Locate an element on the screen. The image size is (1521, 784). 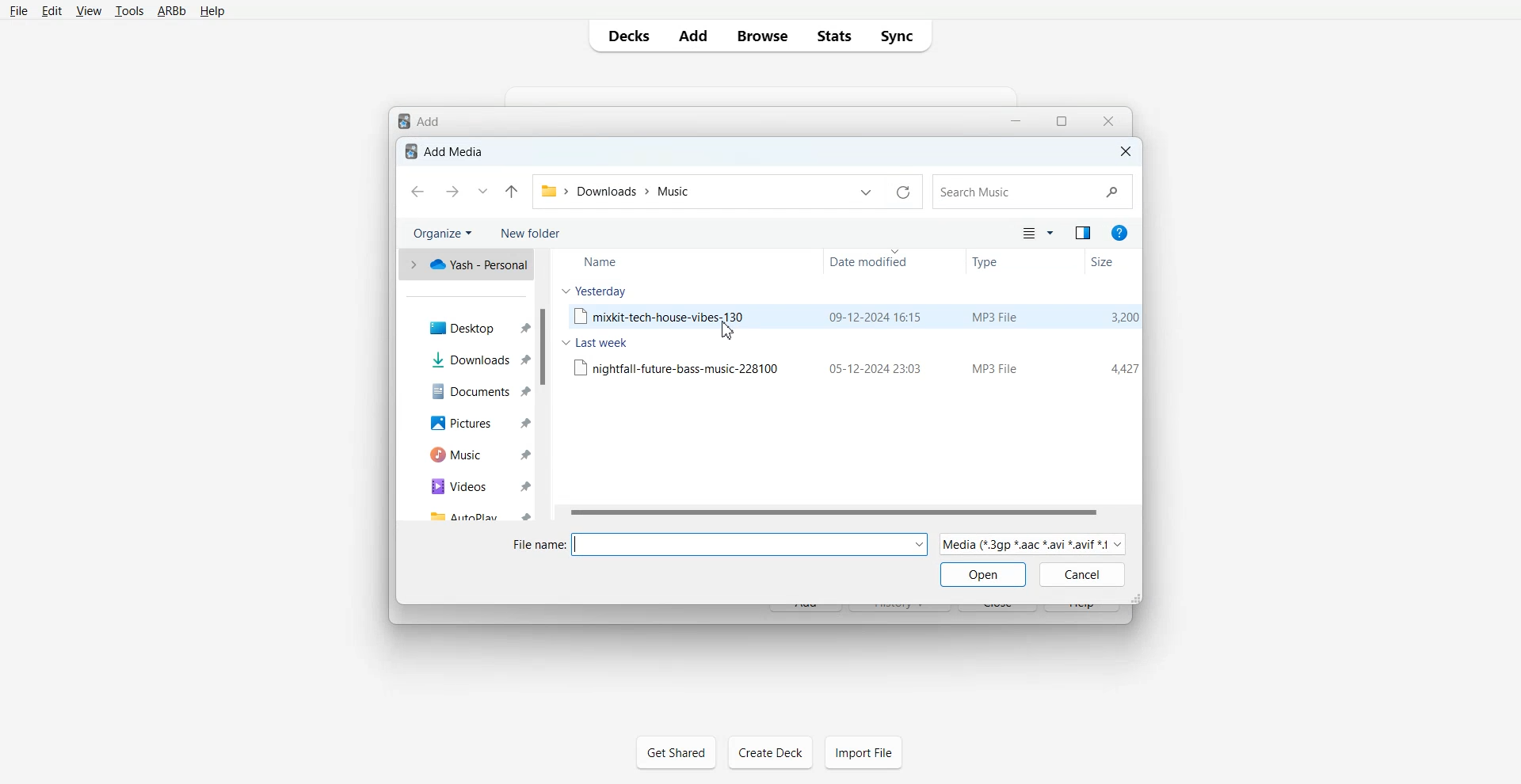
Previous File is located at coordinates (867, 192).